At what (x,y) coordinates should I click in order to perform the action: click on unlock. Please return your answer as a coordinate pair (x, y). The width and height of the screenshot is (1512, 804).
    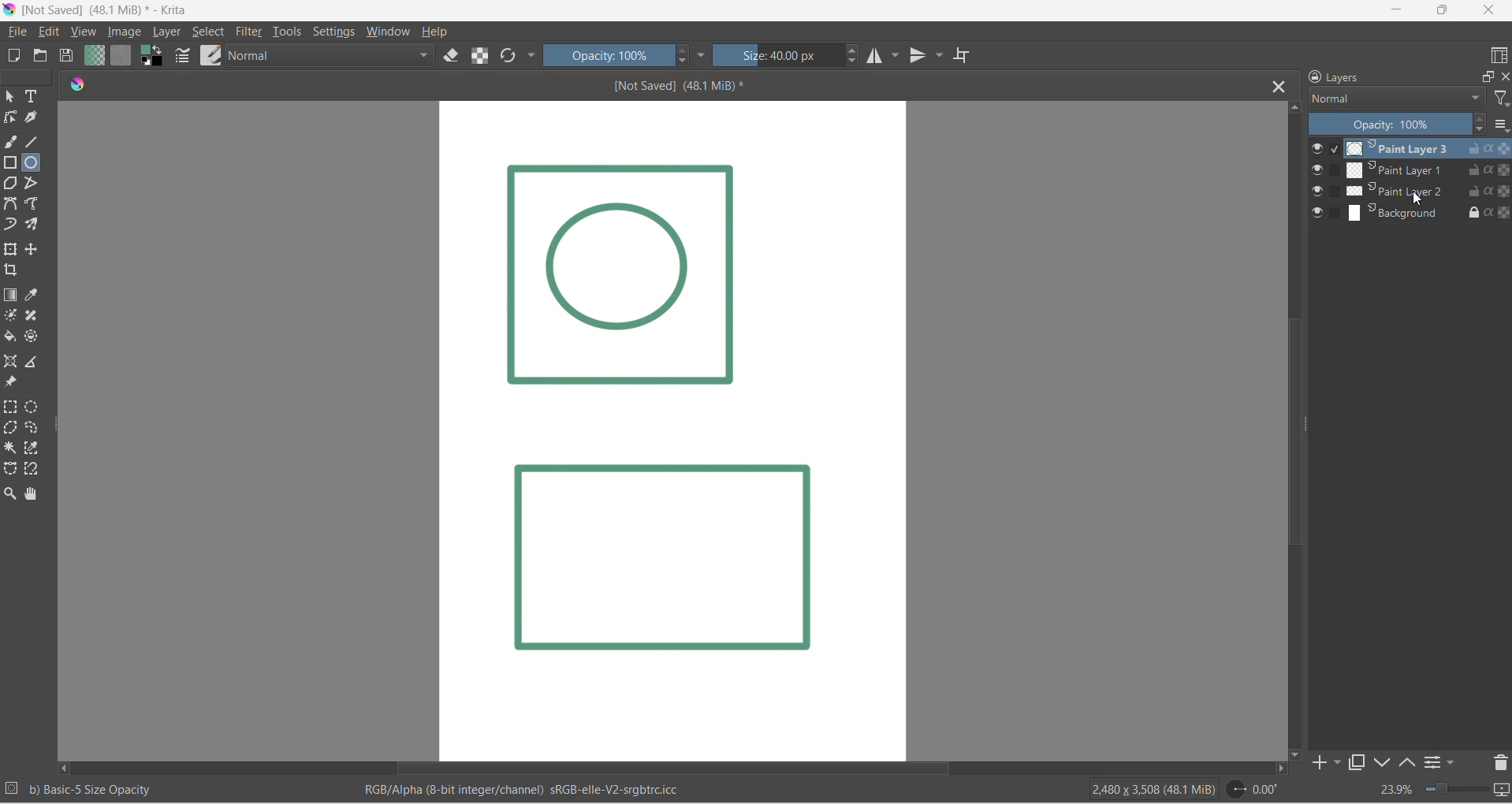
    Looking at the image, I should click on (1469, 148).